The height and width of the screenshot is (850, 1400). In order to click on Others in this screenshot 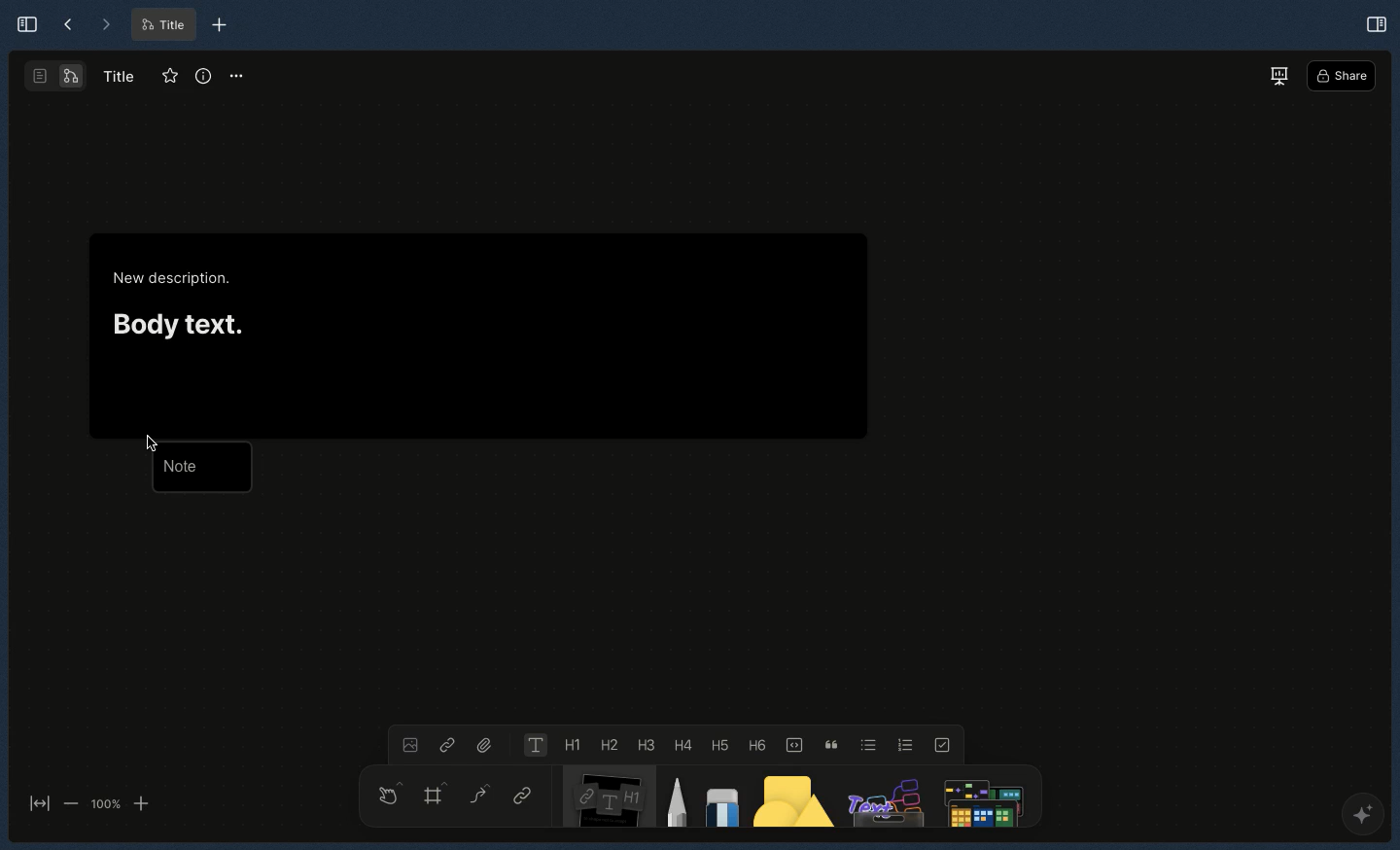, I will do `click(884, 797)`.